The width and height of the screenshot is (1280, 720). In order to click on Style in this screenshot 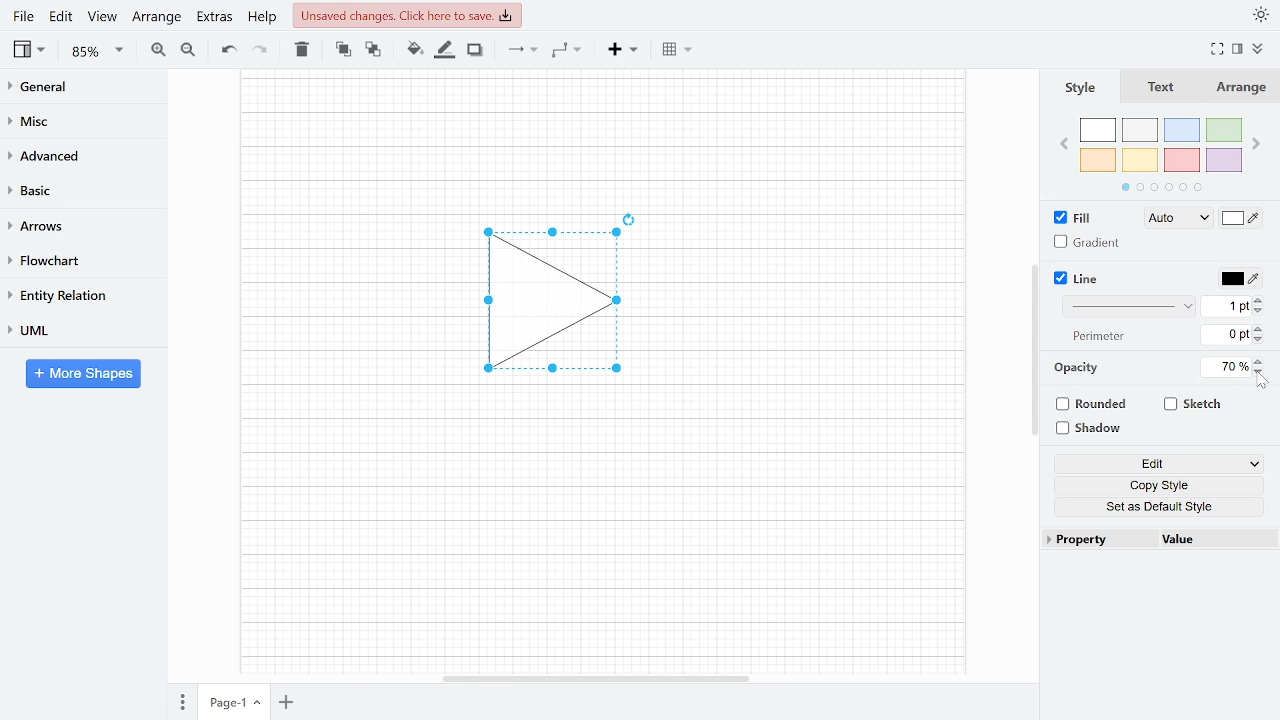, I will do `click(1078, 87)`.